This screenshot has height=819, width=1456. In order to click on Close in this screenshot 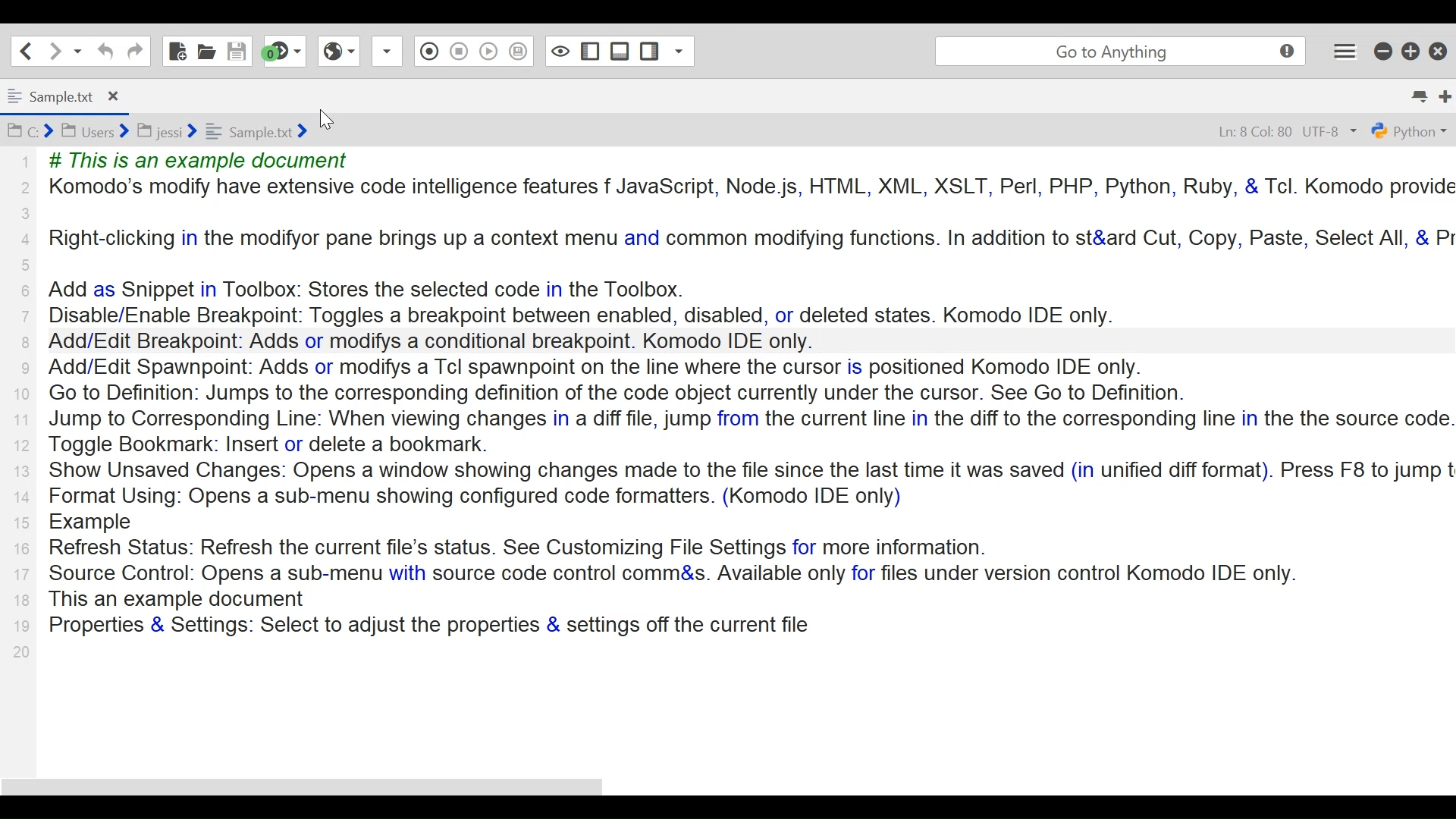, I will do `click(111, 94)`.